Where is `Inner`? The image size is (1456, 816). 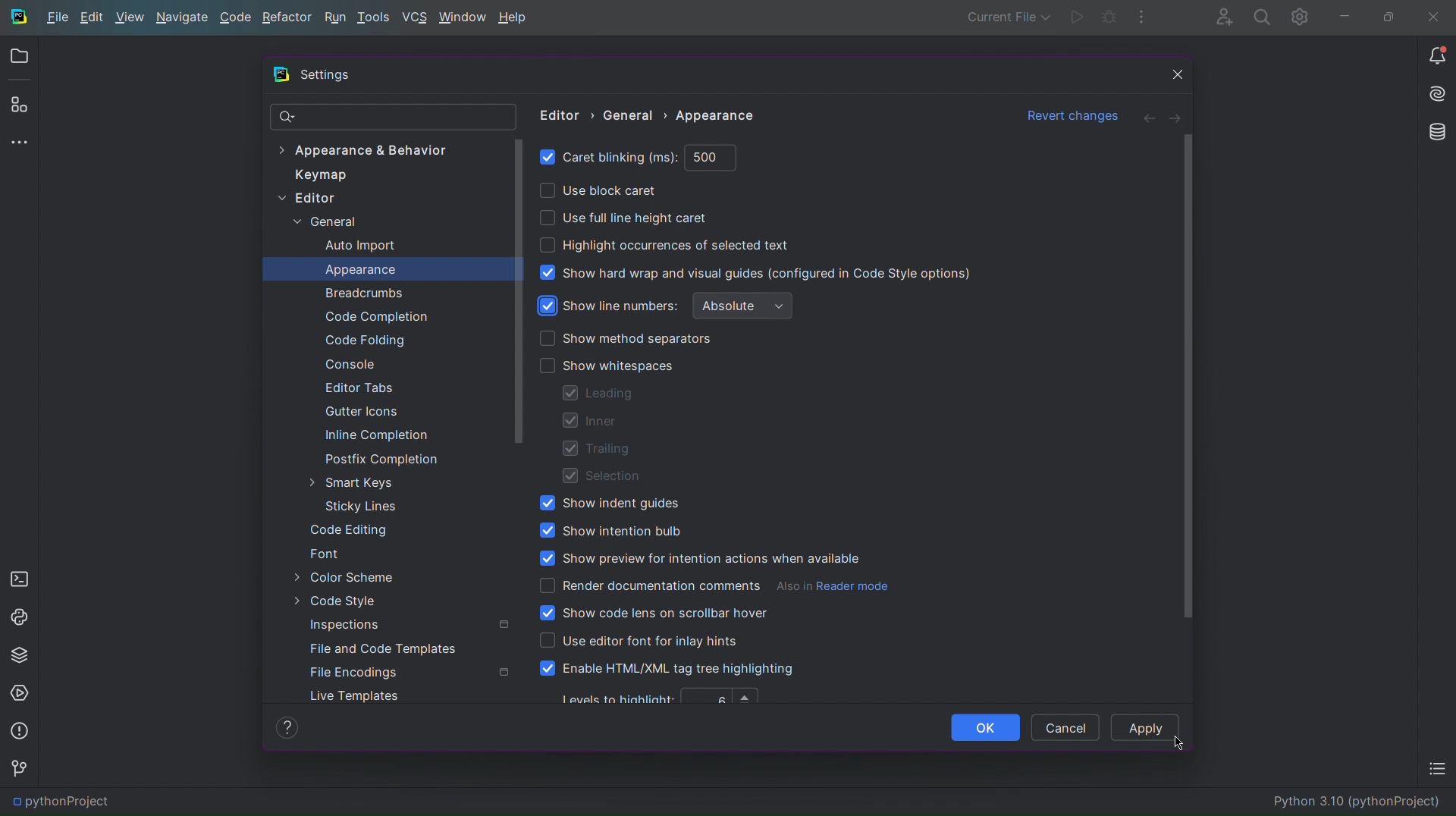
Inner is located at coordinates (591, 421).